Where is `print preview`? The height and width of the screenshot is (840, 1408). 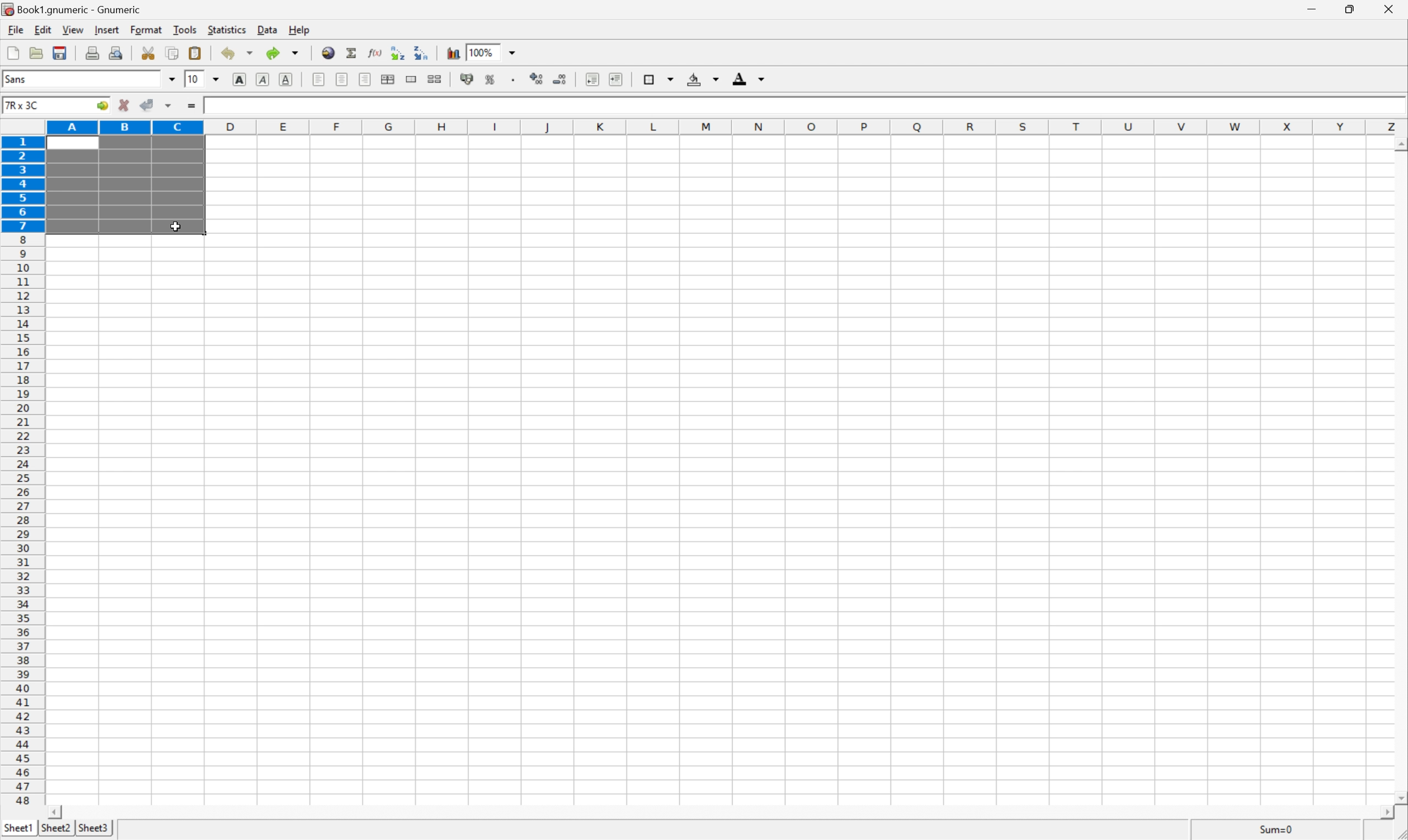
print preview is located at coordinates (116, 52).